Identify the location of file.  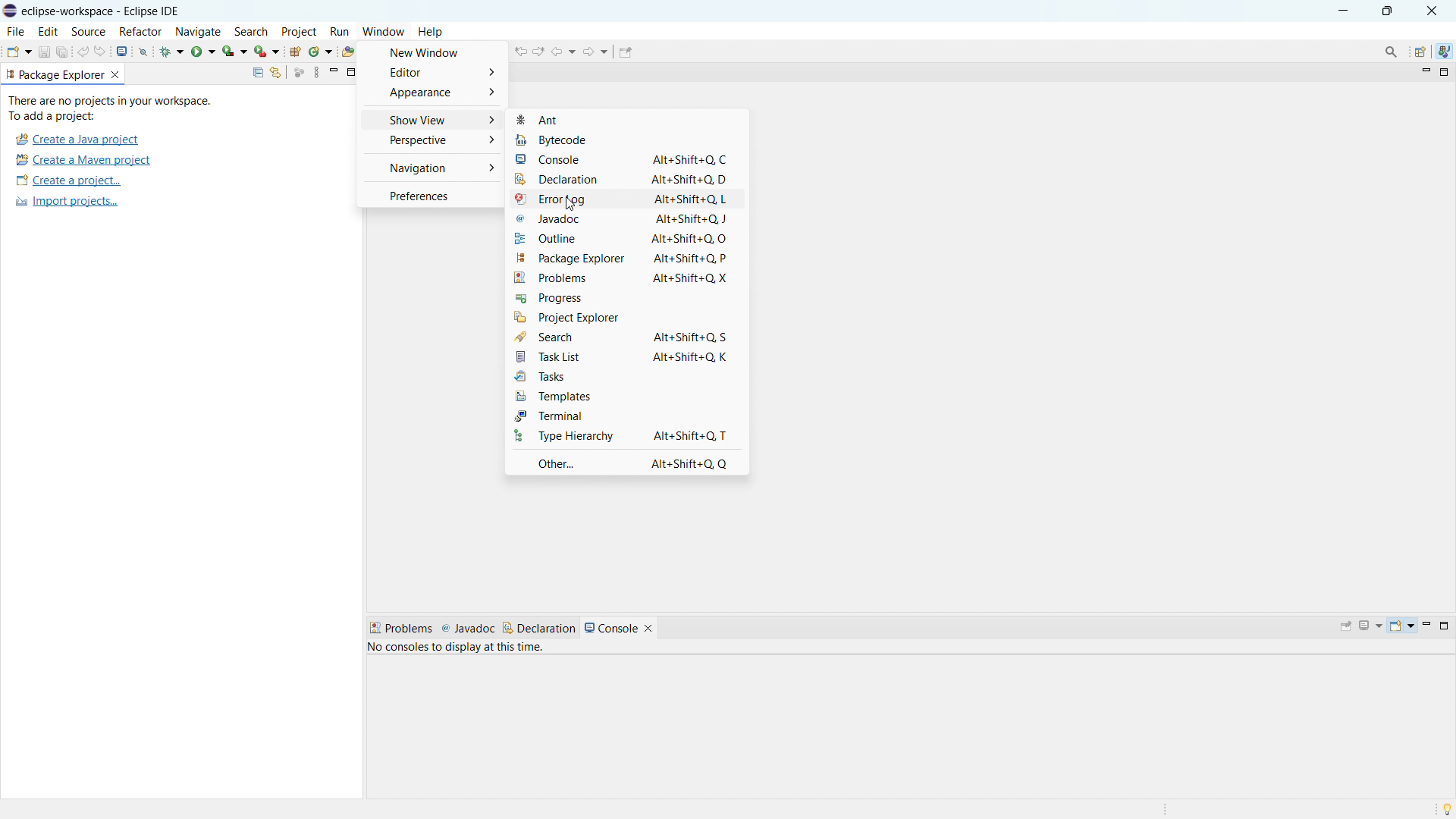
(14, 31).